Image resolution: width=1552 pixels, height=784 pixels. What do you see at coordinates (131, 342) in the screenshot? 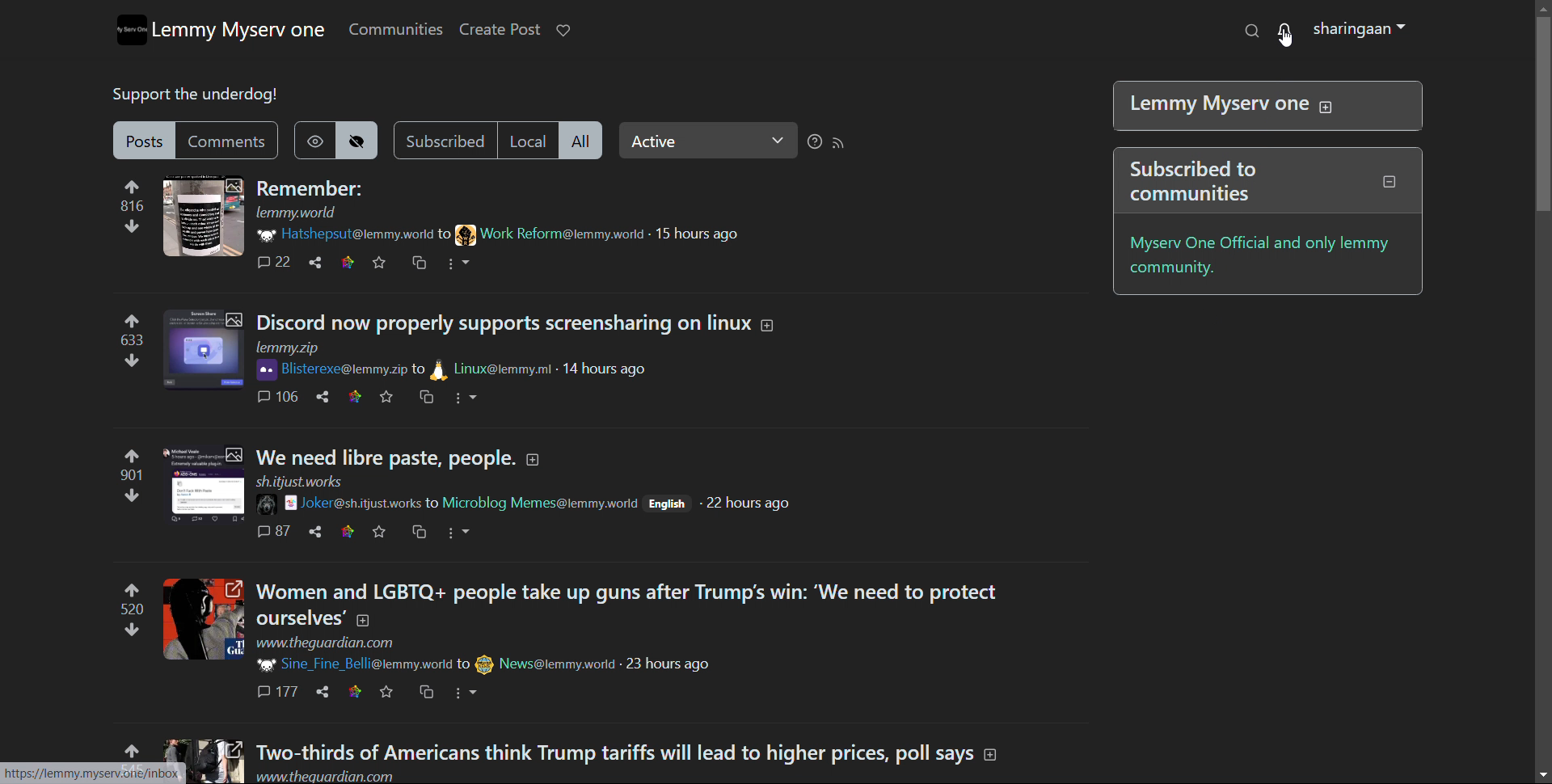
I see `upvotes & downvotes` at bounding box center [131, 342].